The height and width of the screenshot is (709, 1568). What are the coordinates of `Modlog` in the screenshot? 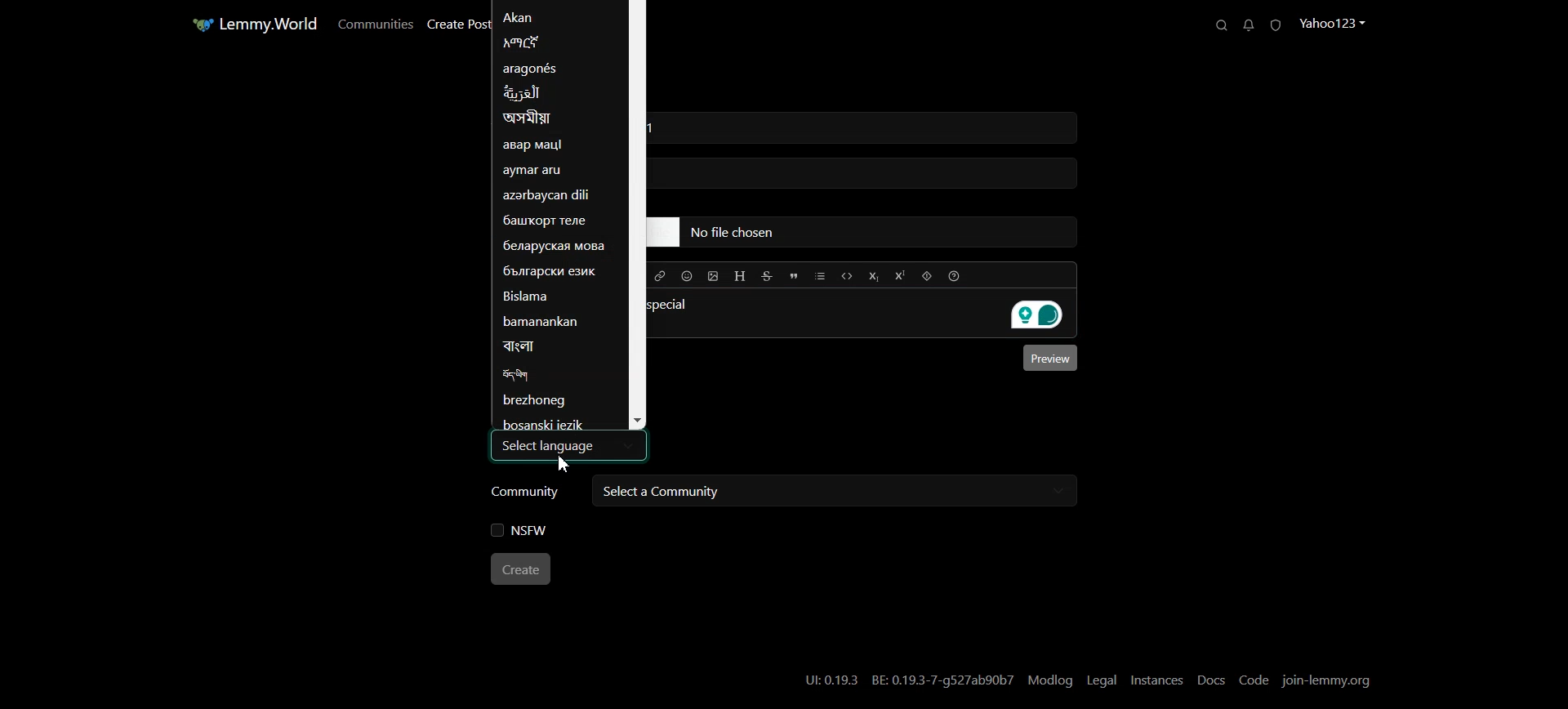 It's located at (1052, 680).